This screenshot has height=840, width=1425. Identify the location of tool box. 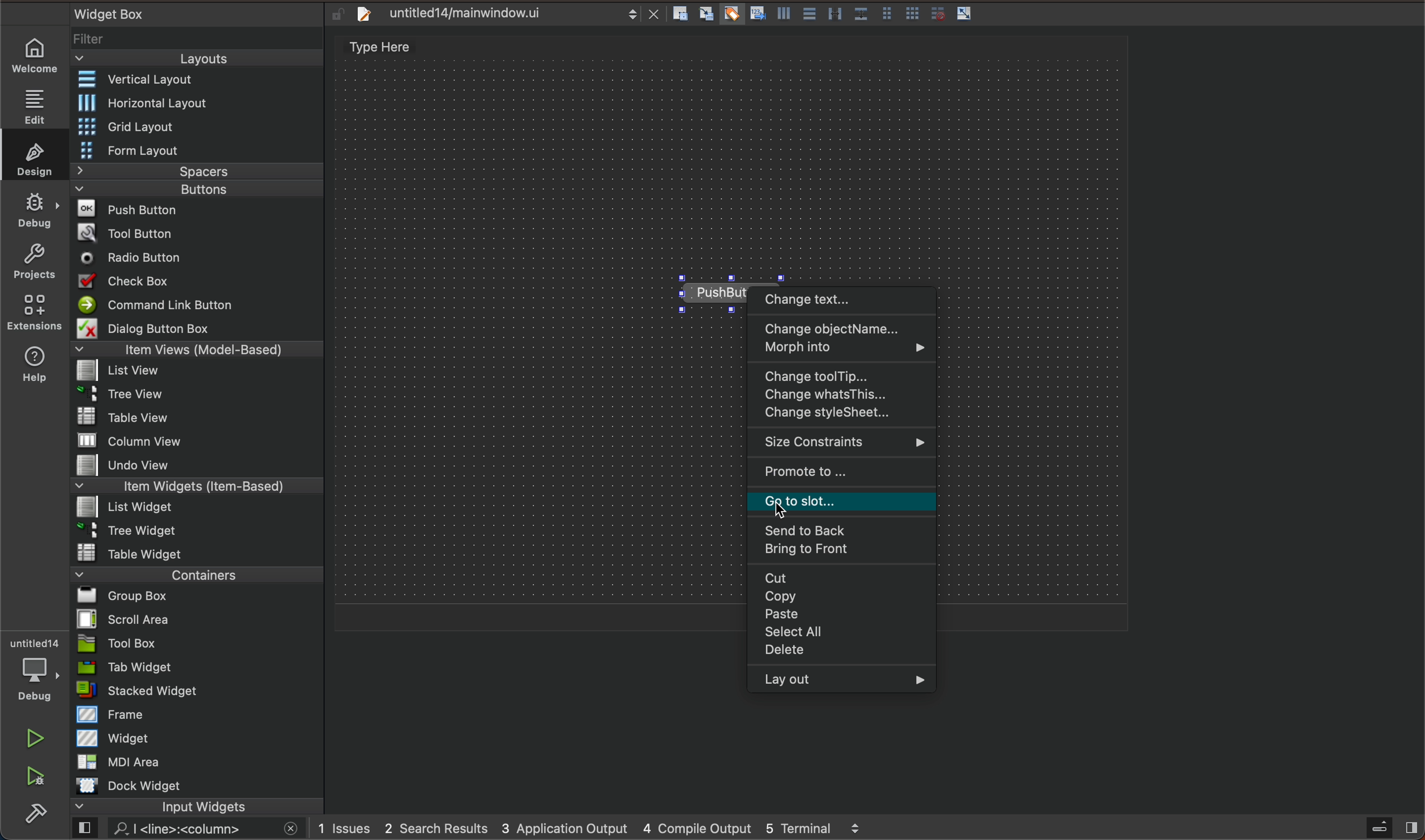
(200, 644).